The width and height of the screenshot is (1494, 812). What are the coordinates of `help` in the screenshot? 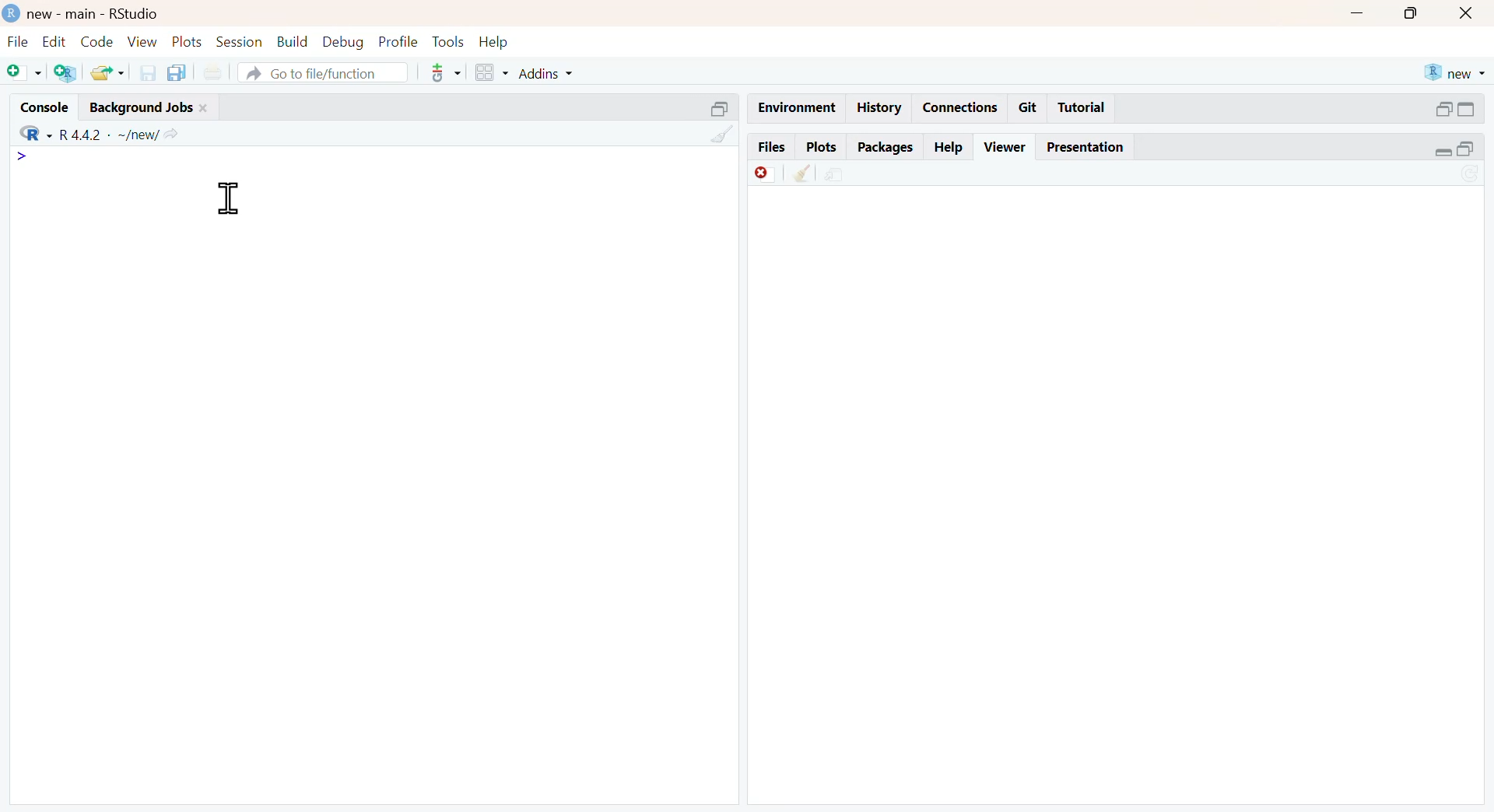 It's located at (494, 43).